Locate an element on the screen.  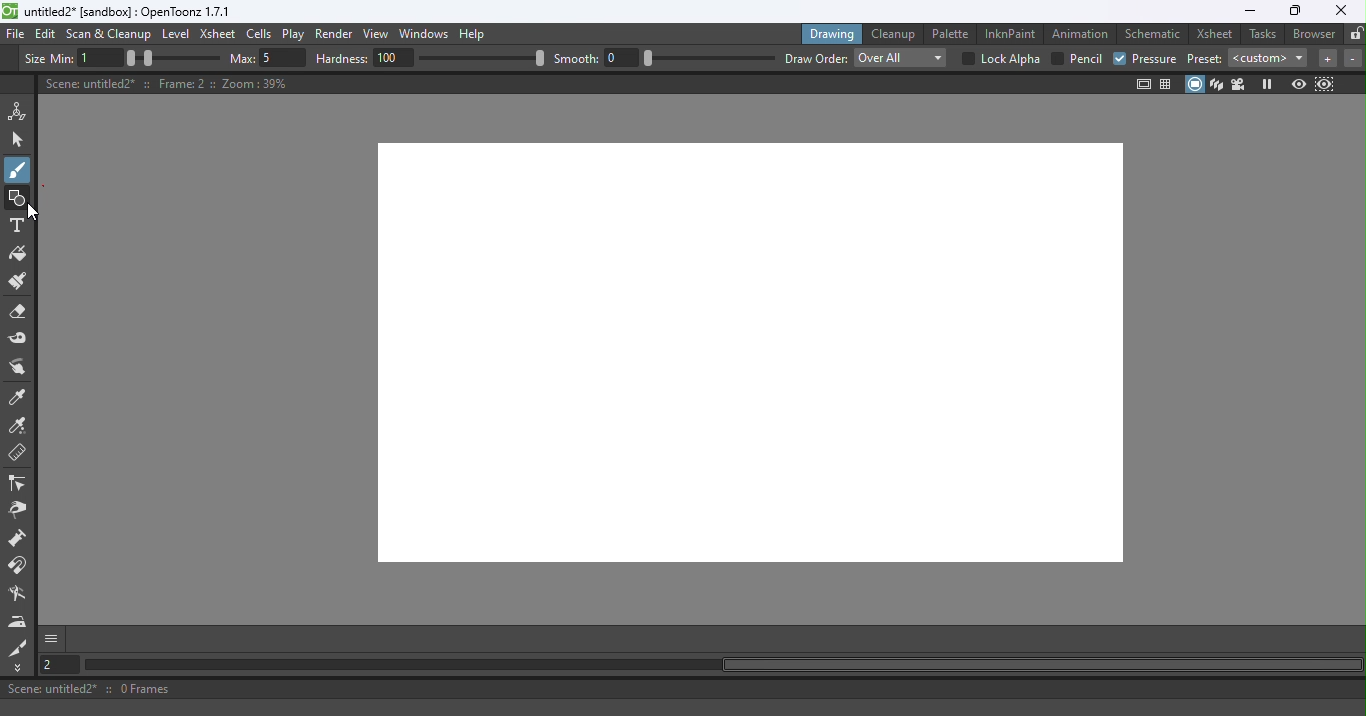
Animation is located at coordinates (1083, 32).